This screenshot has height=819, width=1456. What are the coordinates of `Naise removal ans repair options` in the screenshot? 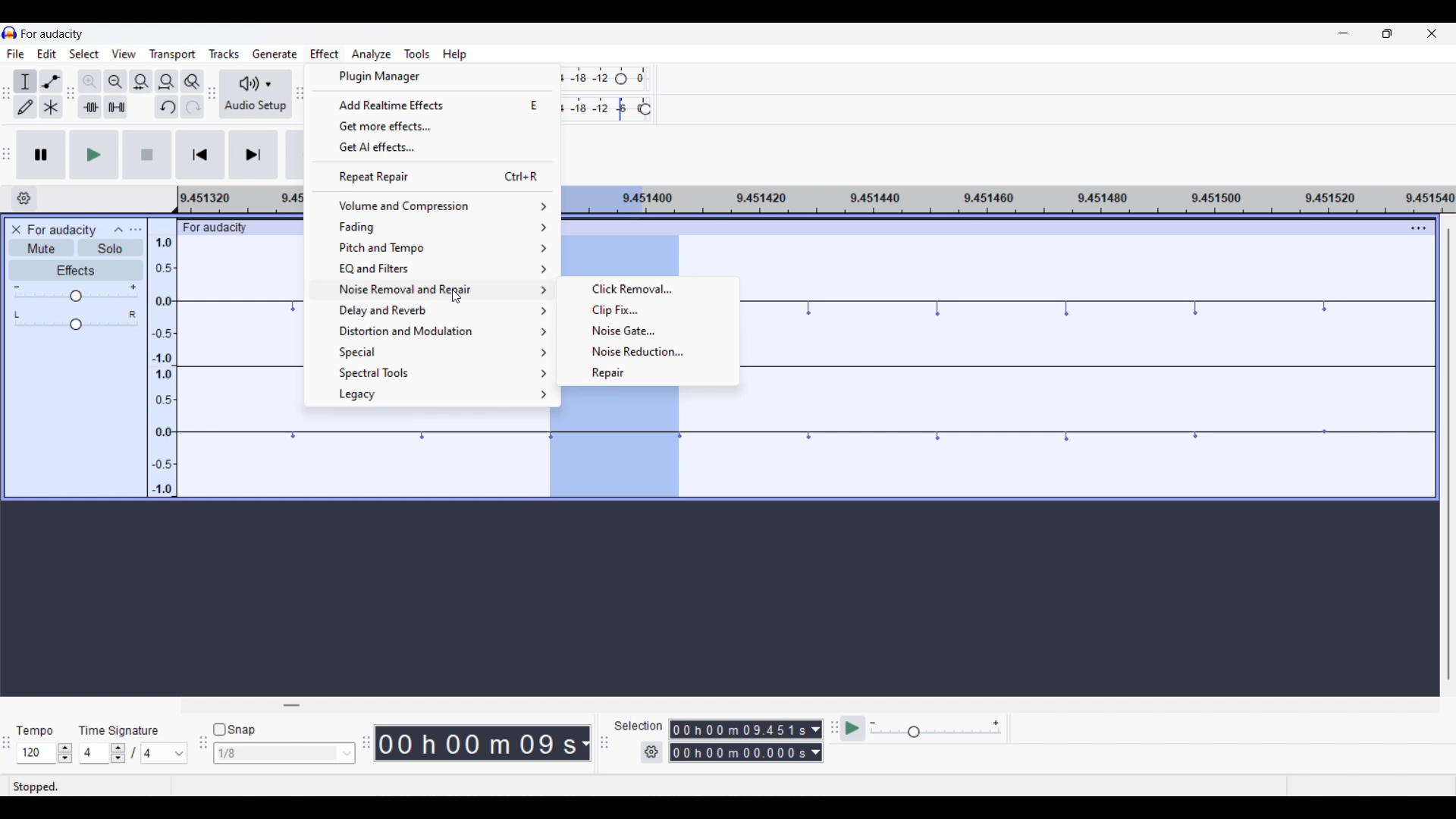 It's located at (433, 290).